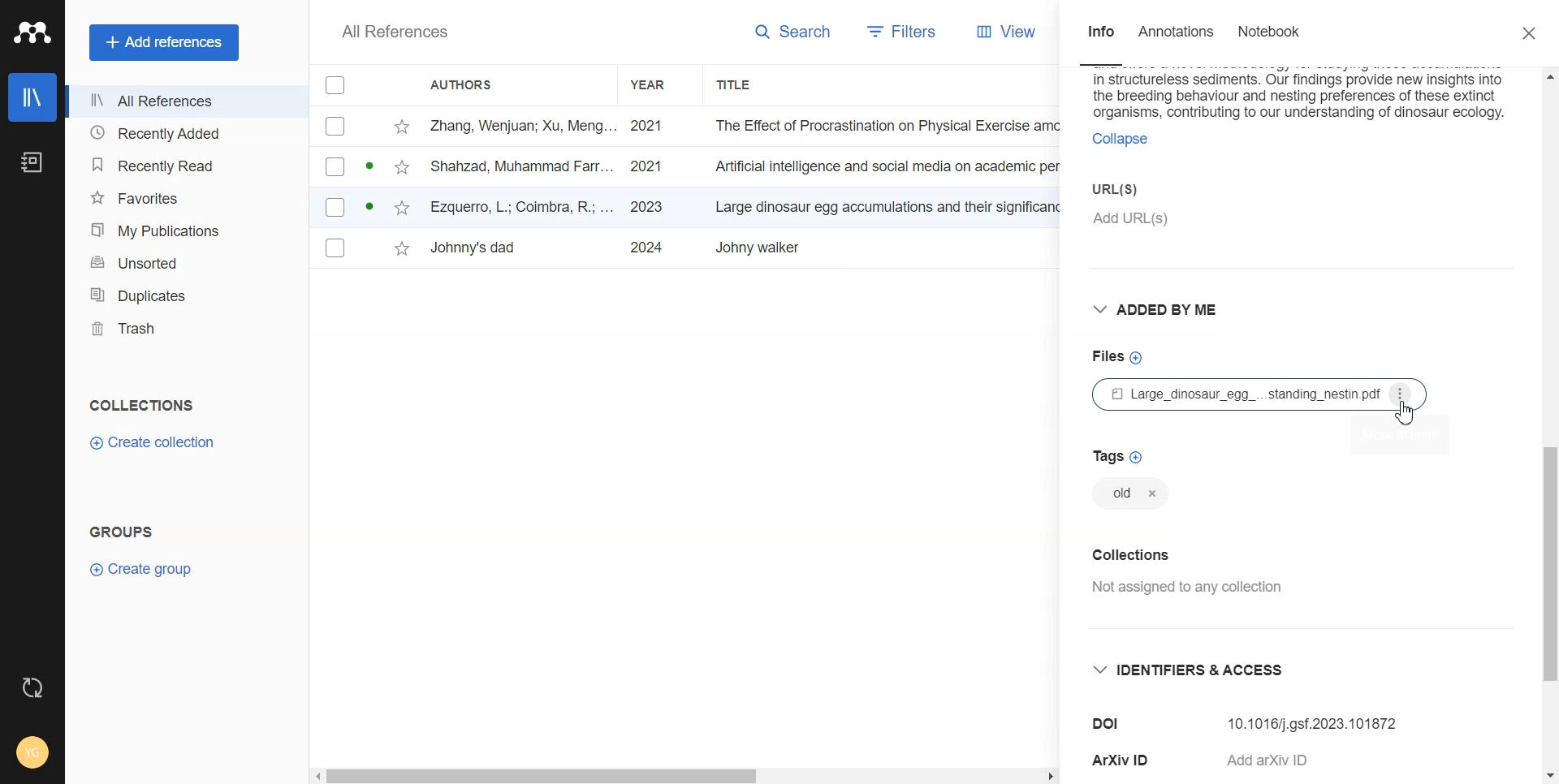 The width and height of the screenshot is (1559, 784). What do you see at coordinates (738, 84) in the screenshot?
I see `Title` at bounding box center [738, 84].